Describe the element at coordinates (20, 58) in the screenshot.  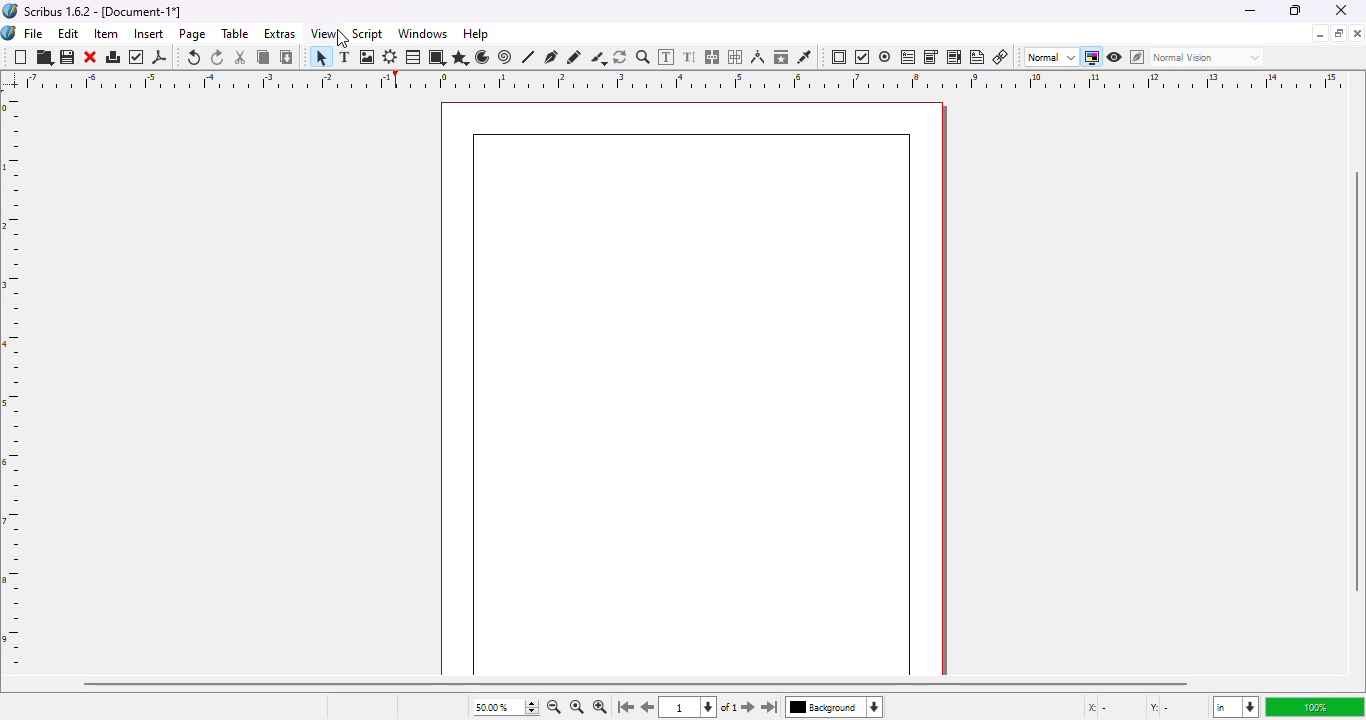
I see `new` at that location.